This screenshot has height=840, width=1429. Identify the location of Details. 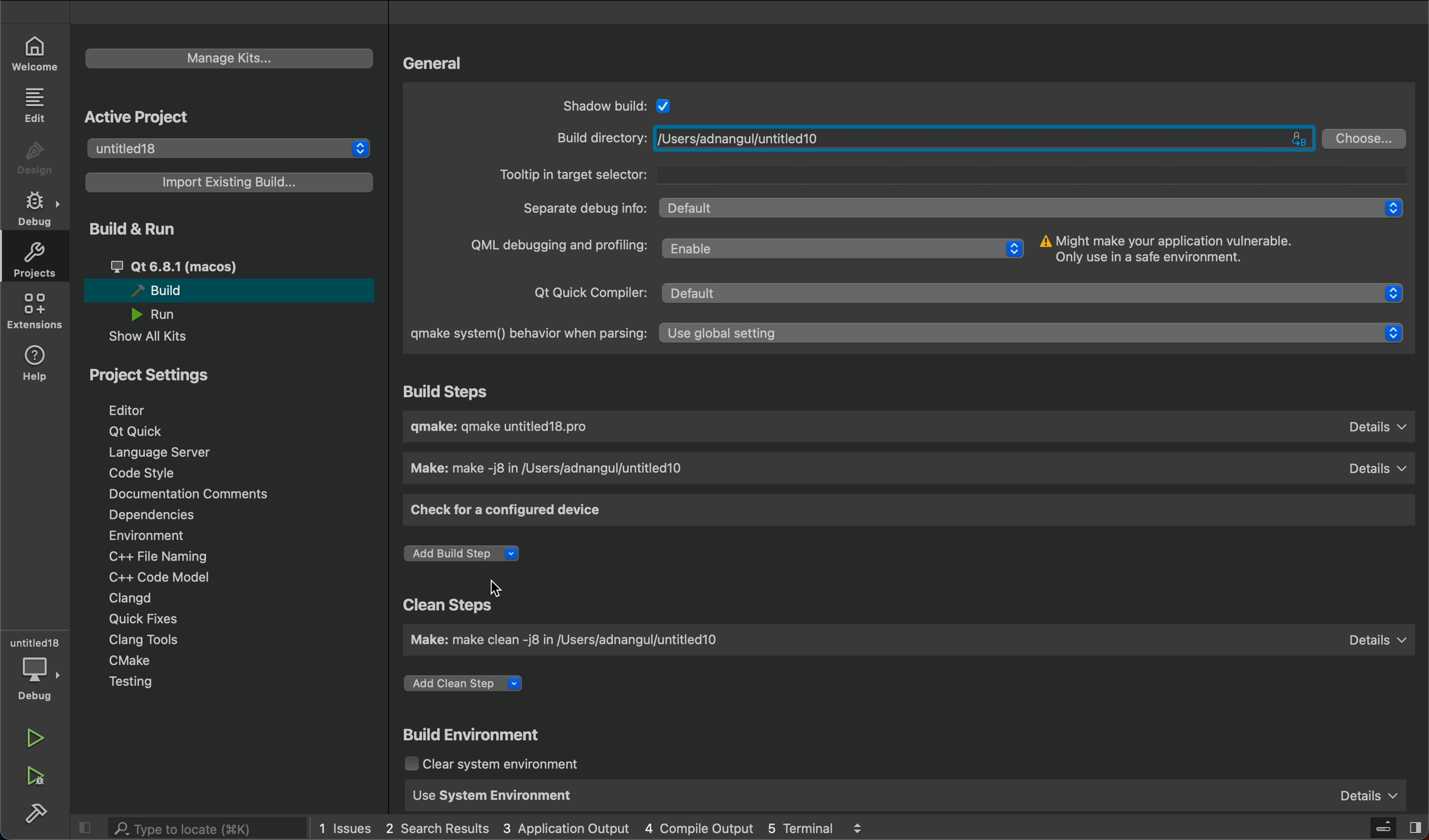
(1376, 468).